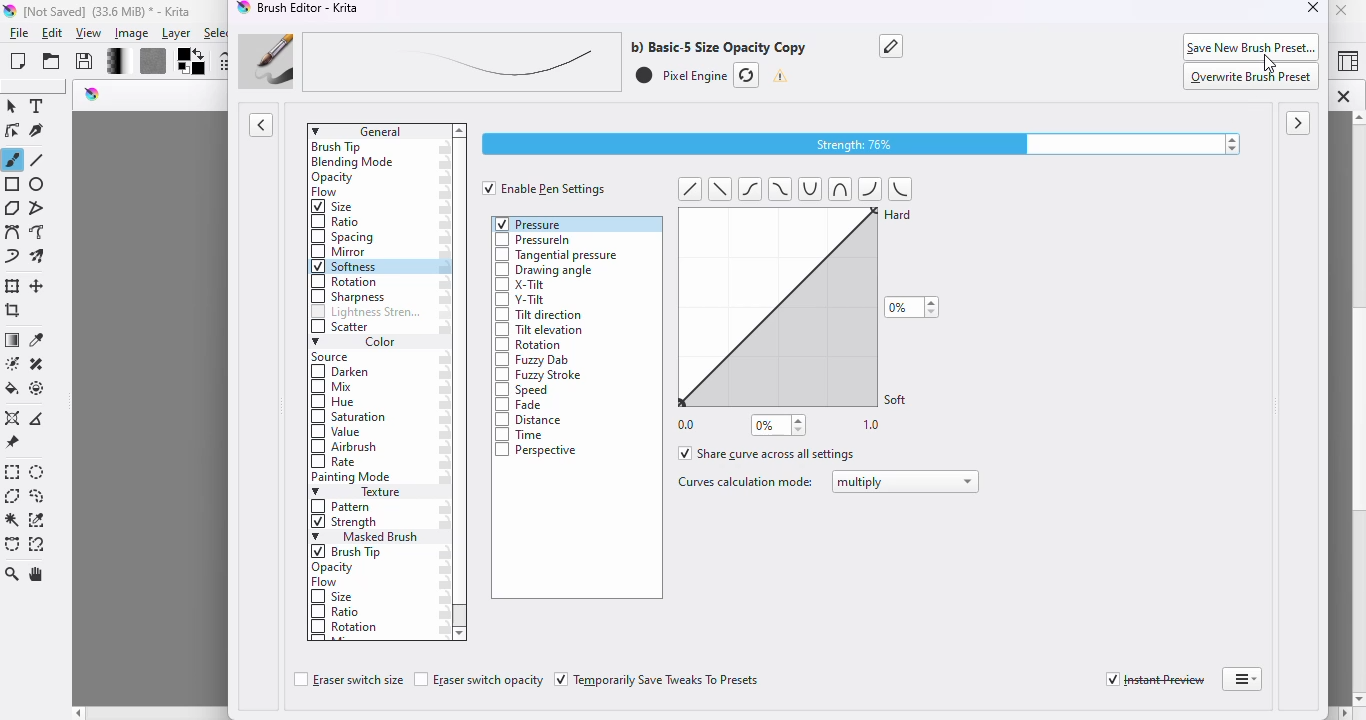 The width and height of the screenshot is (1366, 720). I want to click on edit brush settings, so click(224, 62).